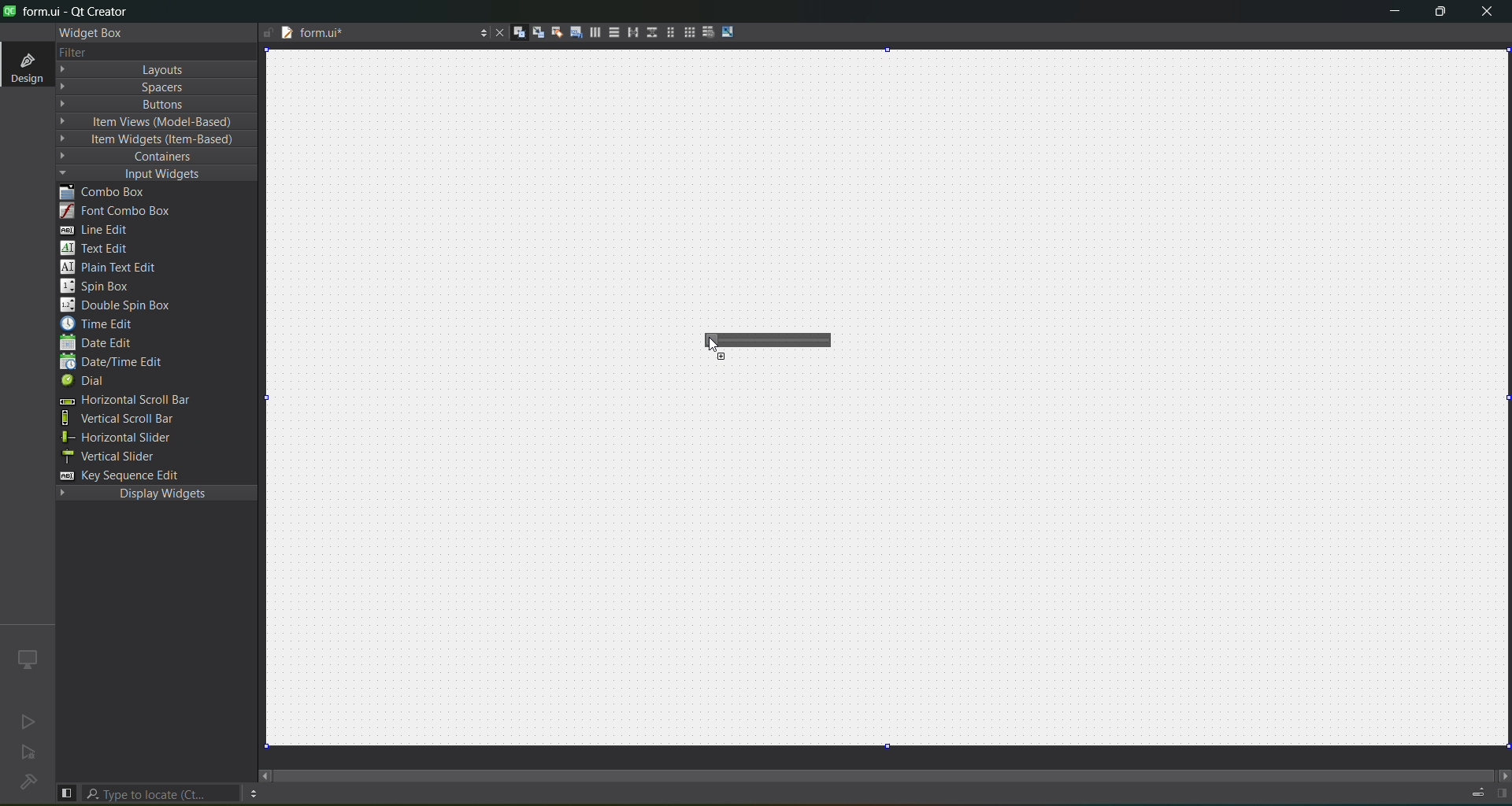 This screenshot has height=806, width=1512. I want to click on move right, so click(1502, 773).